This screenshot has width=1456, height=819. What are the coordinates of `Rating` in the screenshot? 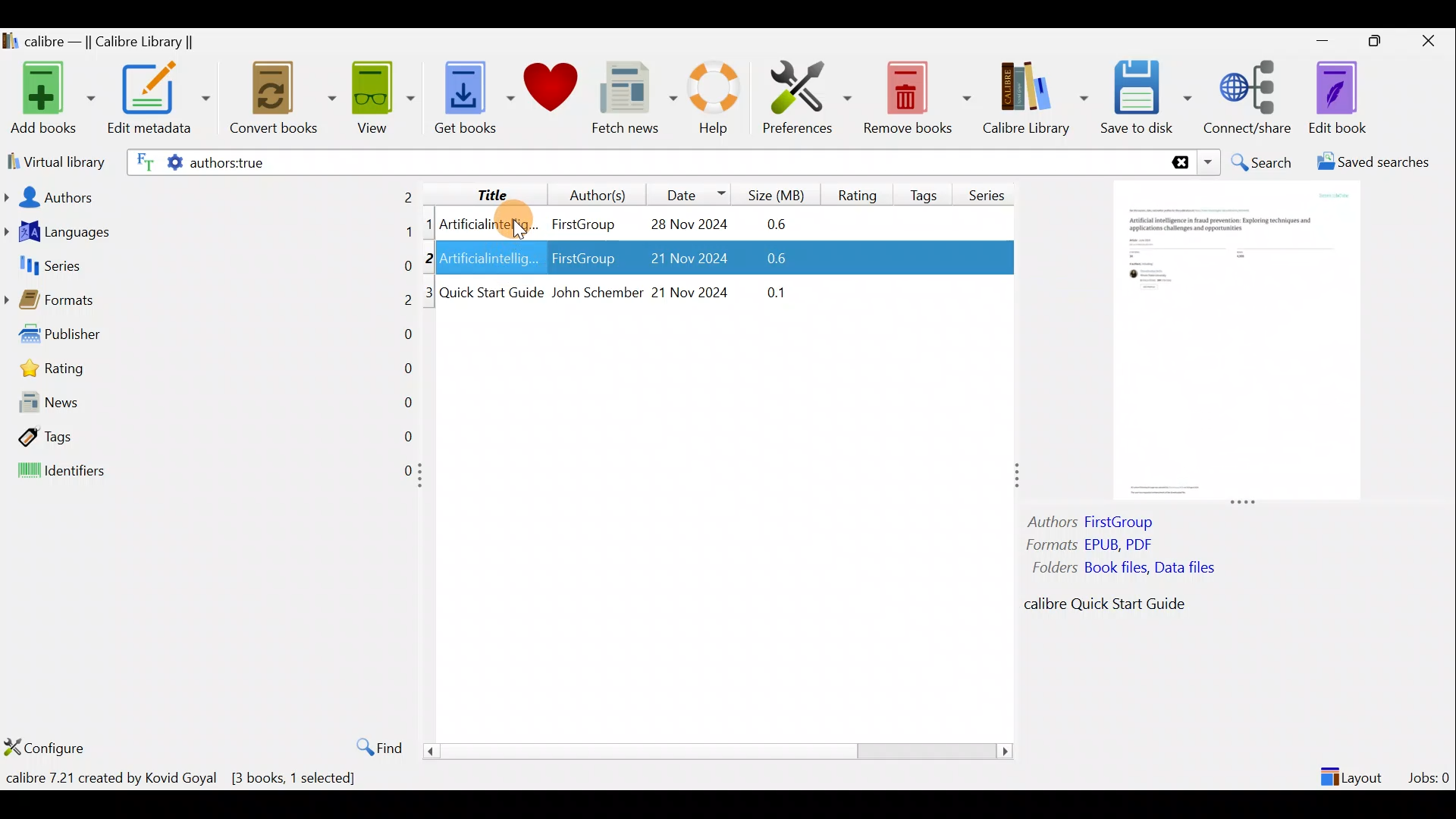 It's located at (215, 372).